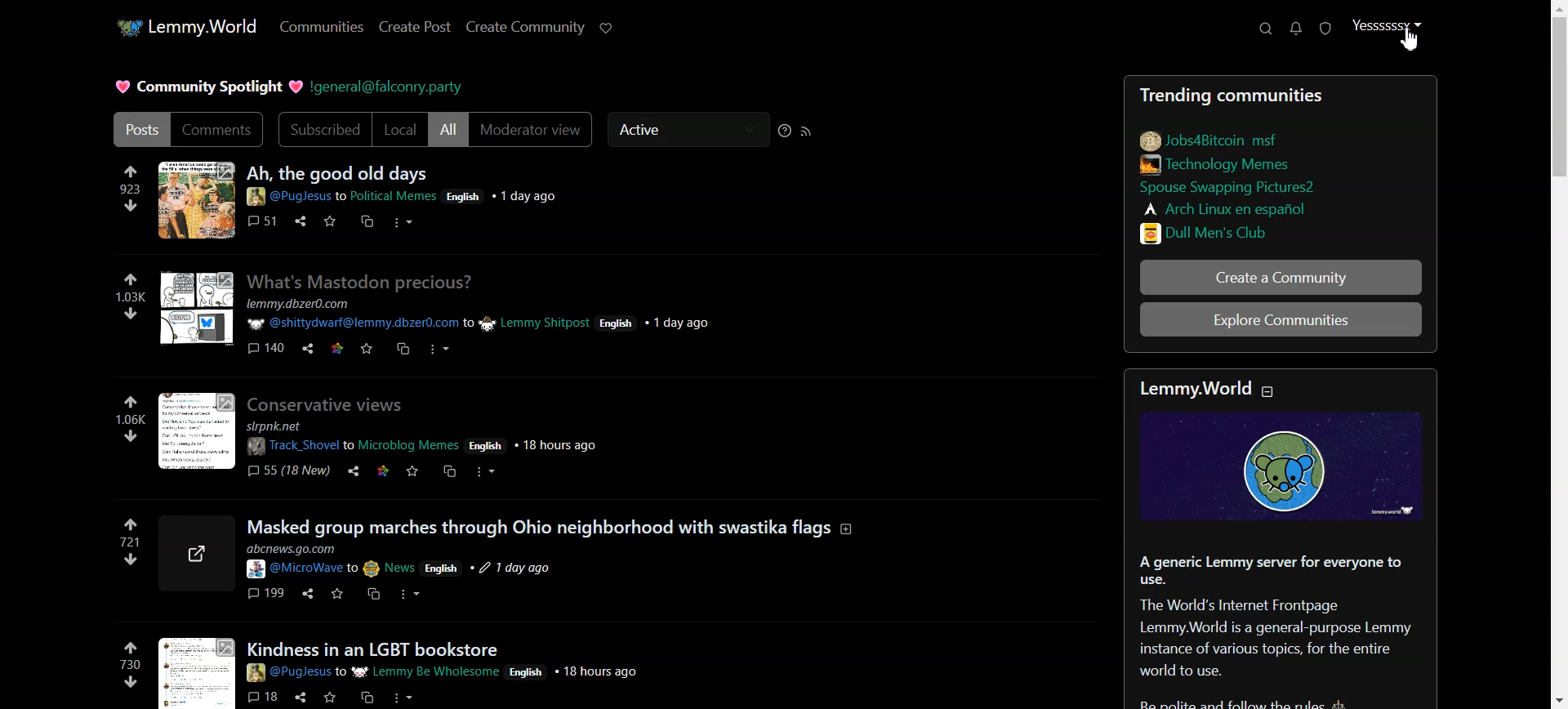 Image resolution: width=1568 pixels, height=709 pixels. What do you see at coordinates (1285, 472) in the screenshot?
I see `image` at bounding box center [1285, 472].